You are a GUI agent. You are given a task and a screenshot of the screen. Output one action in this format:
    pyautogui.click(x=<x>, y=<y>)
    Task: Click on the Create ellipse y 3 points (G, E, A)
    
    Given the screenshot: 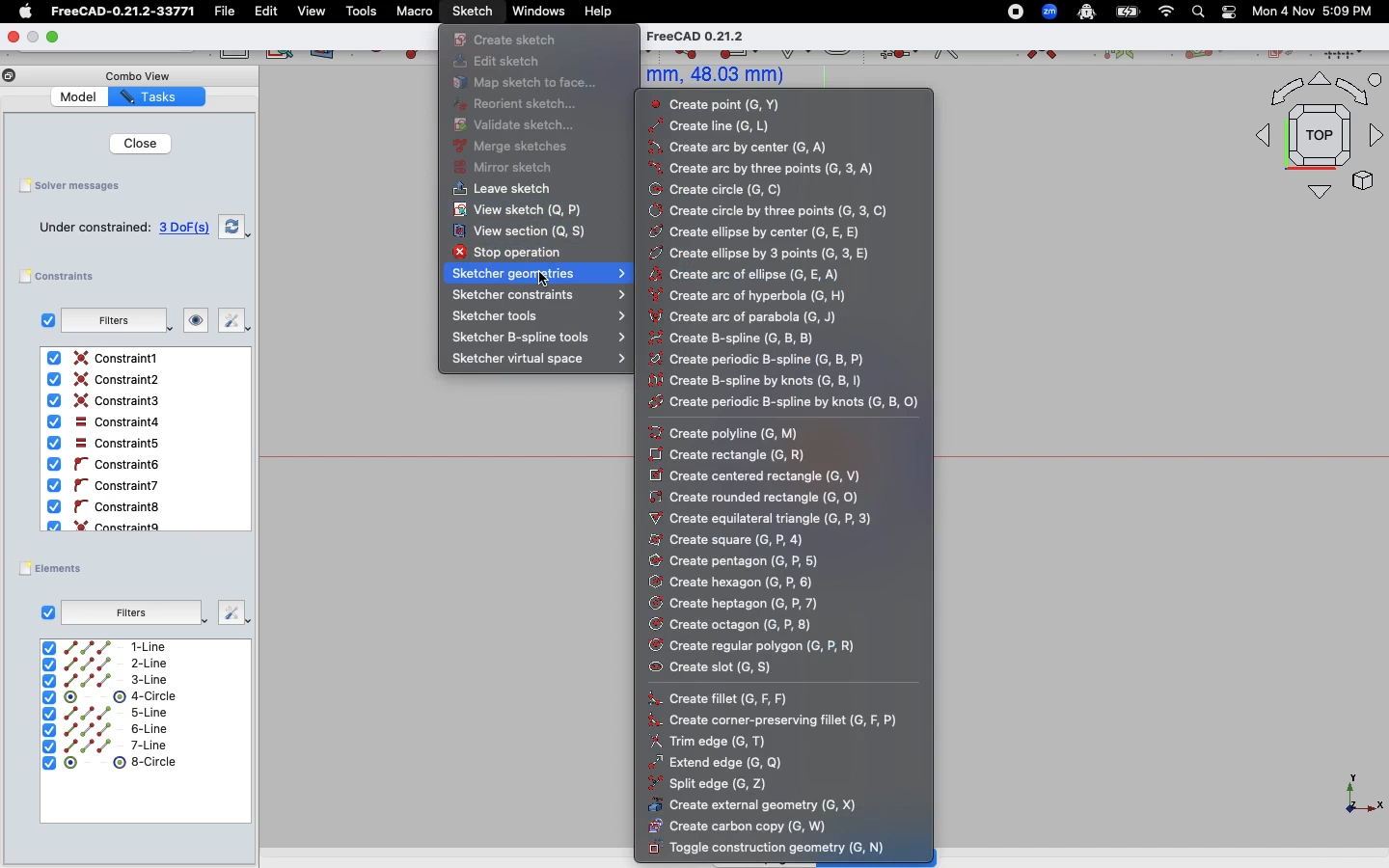 What is the action you would take?
    pyautogui.click(x=765, y=254)
    